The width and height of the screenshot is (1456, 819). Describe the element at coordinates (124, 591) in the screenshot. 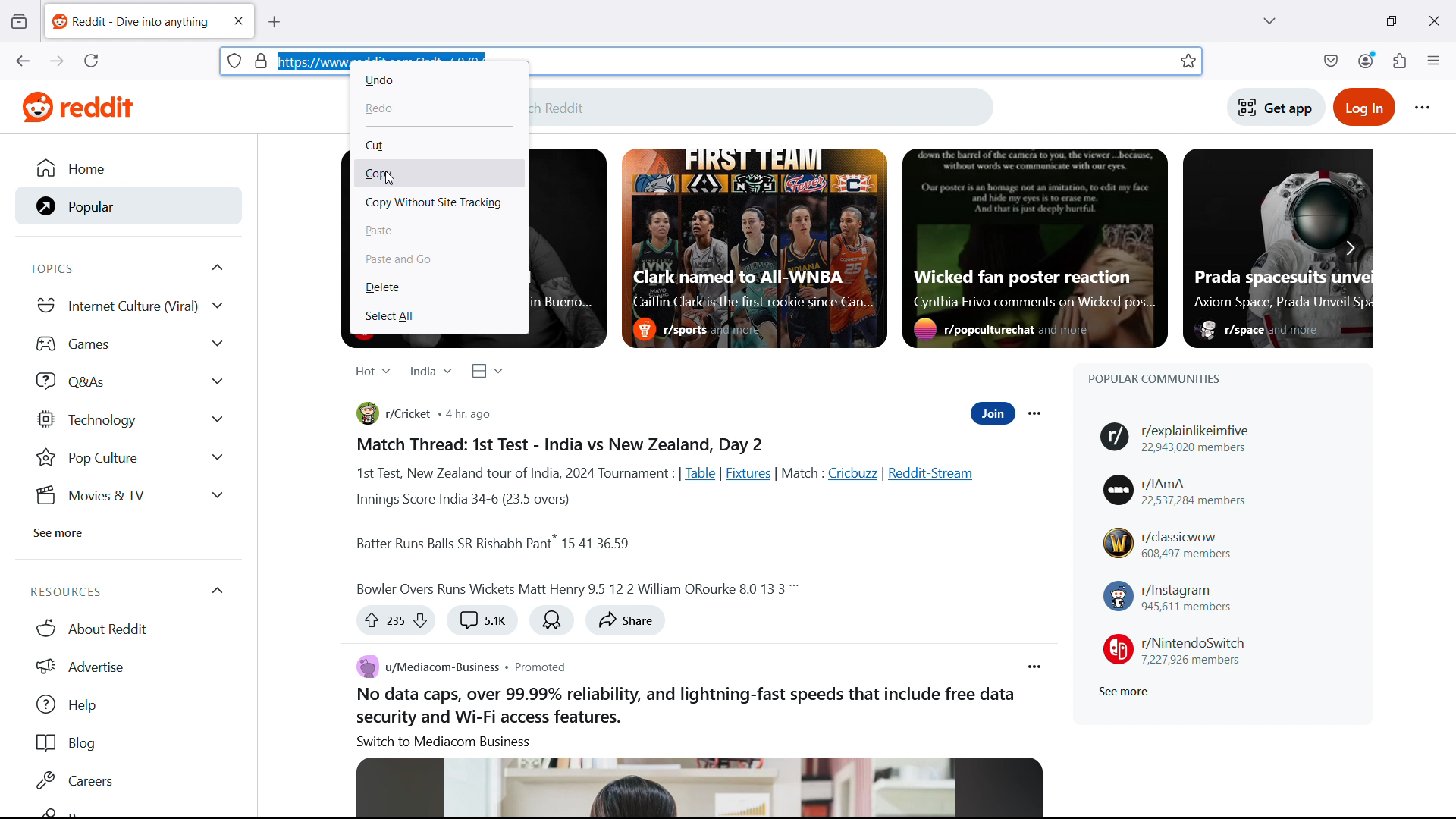

I see `Resources` at that location.